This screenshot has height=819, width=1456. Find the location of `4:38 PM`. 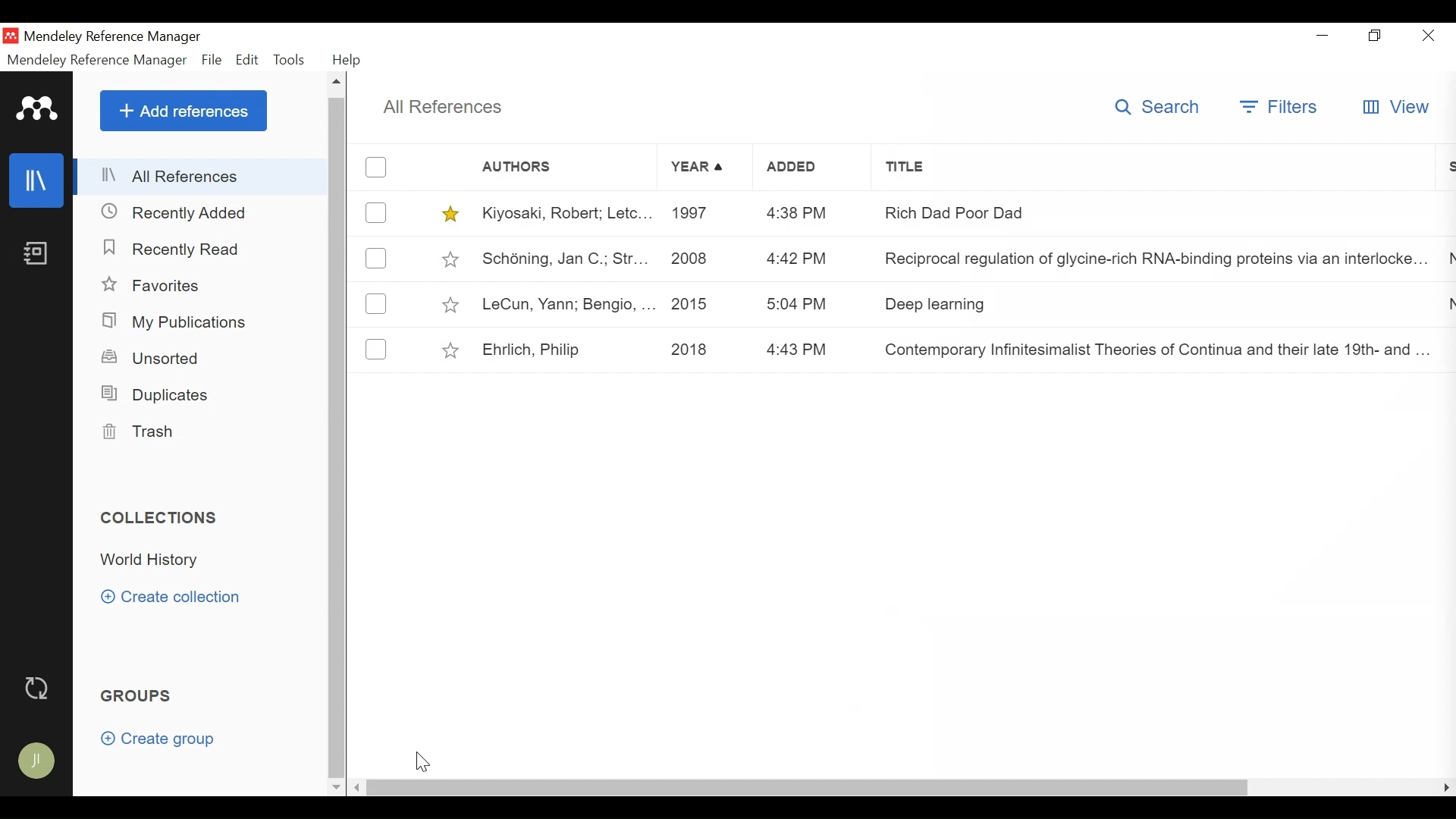

4:38 PM is located at coordinates (811, 211).